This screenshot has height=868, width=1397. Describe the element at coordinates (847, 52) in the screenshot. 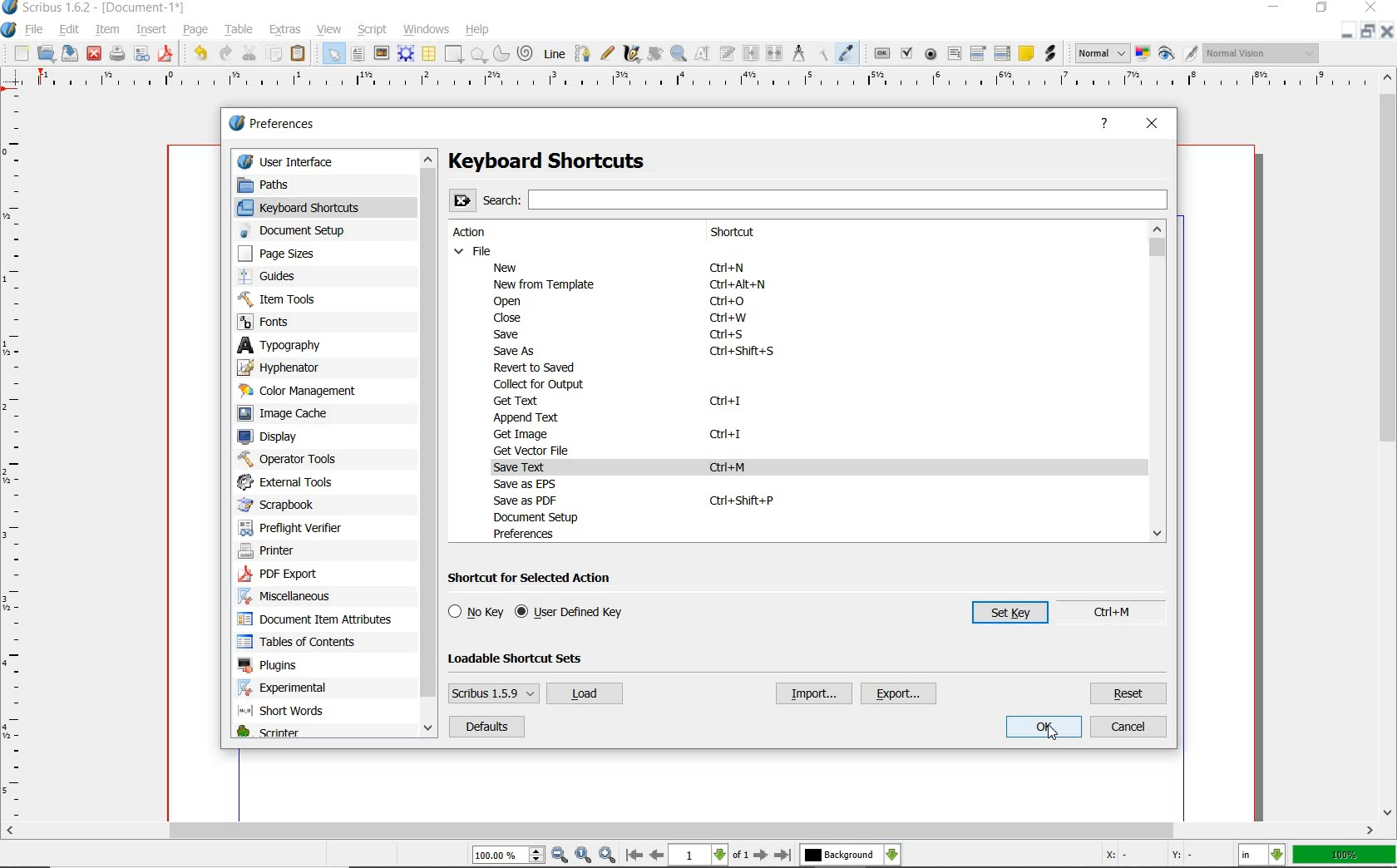

I see `eye dropper` at that location.